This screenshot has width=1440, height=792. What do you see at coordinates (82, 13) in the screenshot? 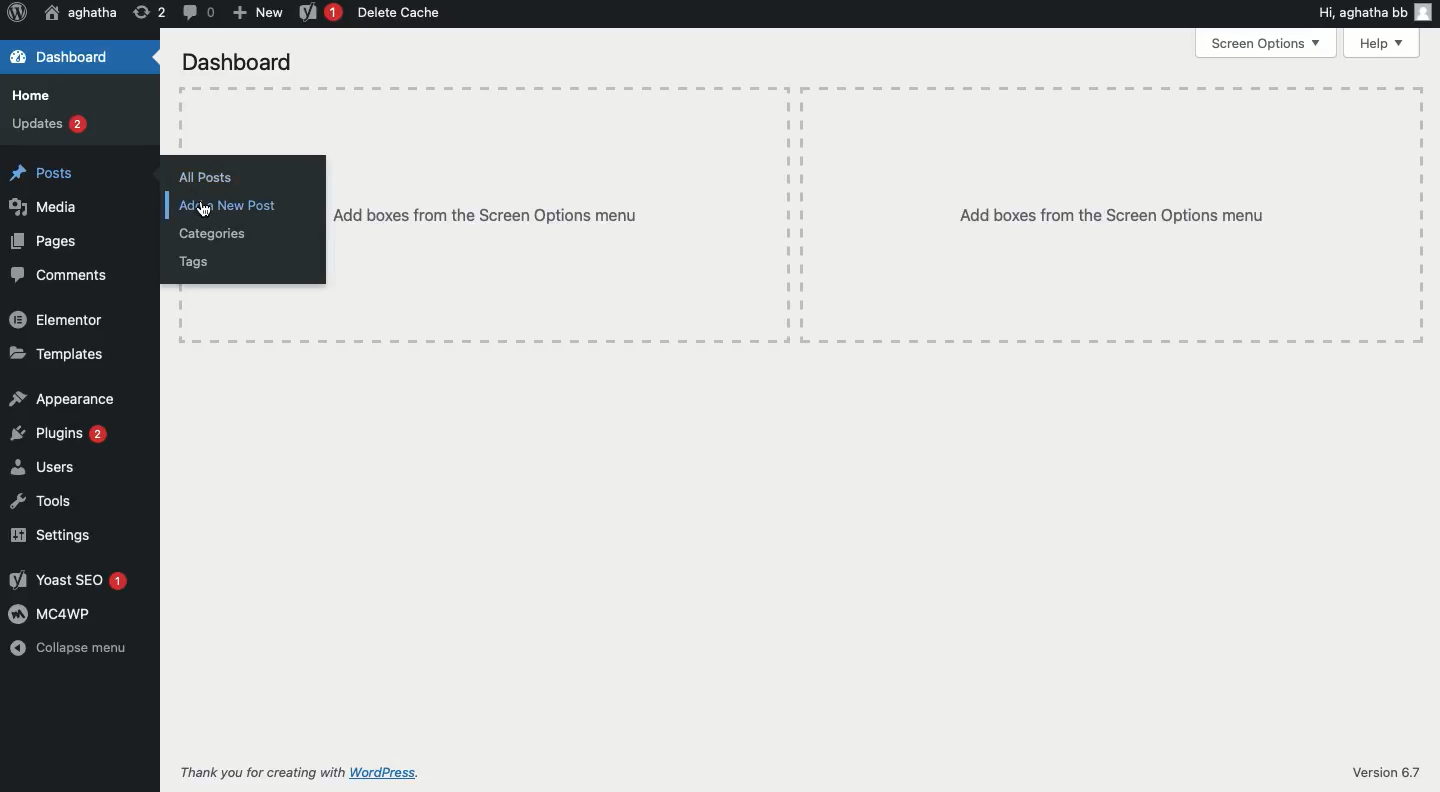
I see `‘aghatha` at bounding box center [82, 13].